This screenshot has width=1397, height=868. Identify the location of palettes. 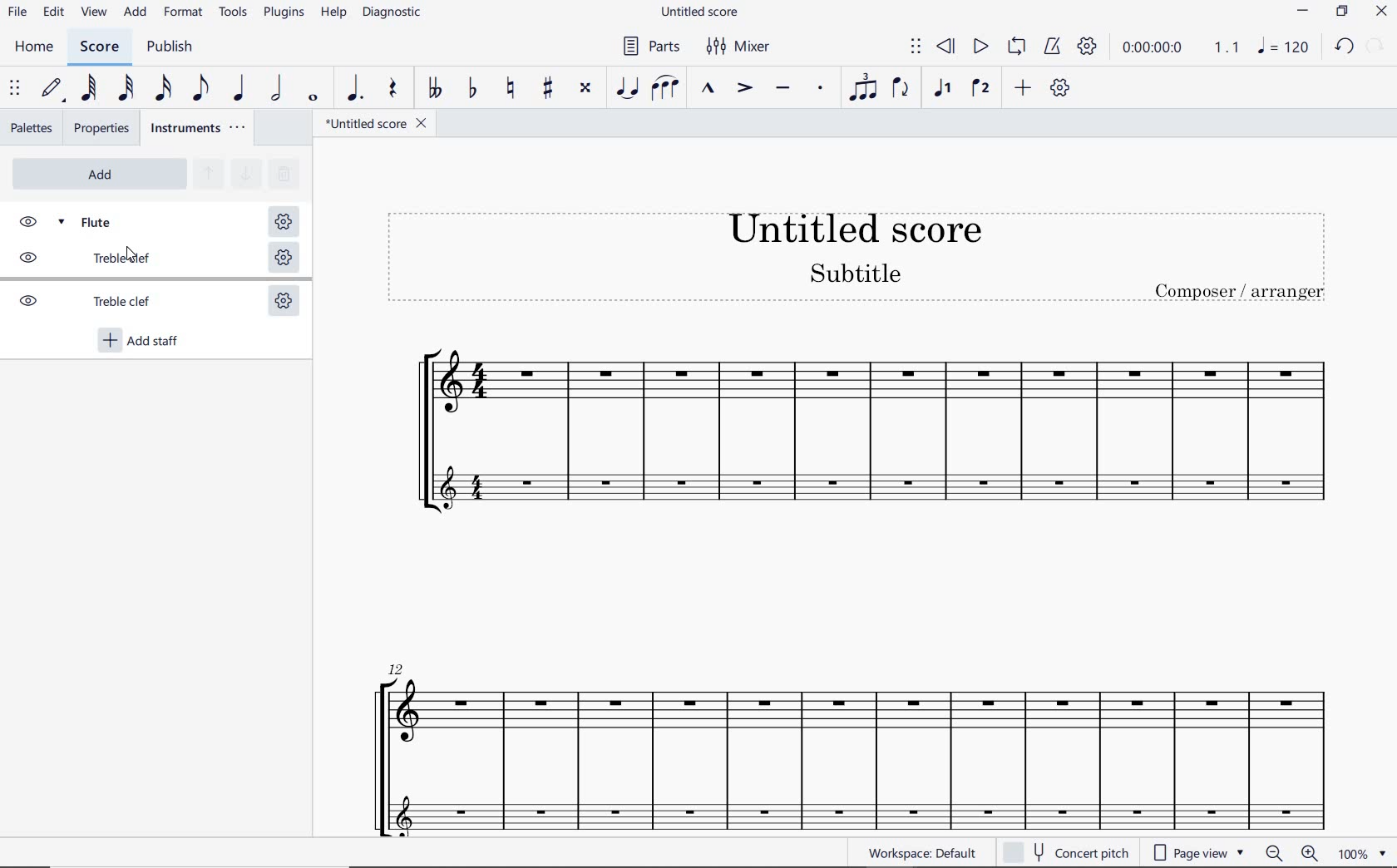
(32, 130).